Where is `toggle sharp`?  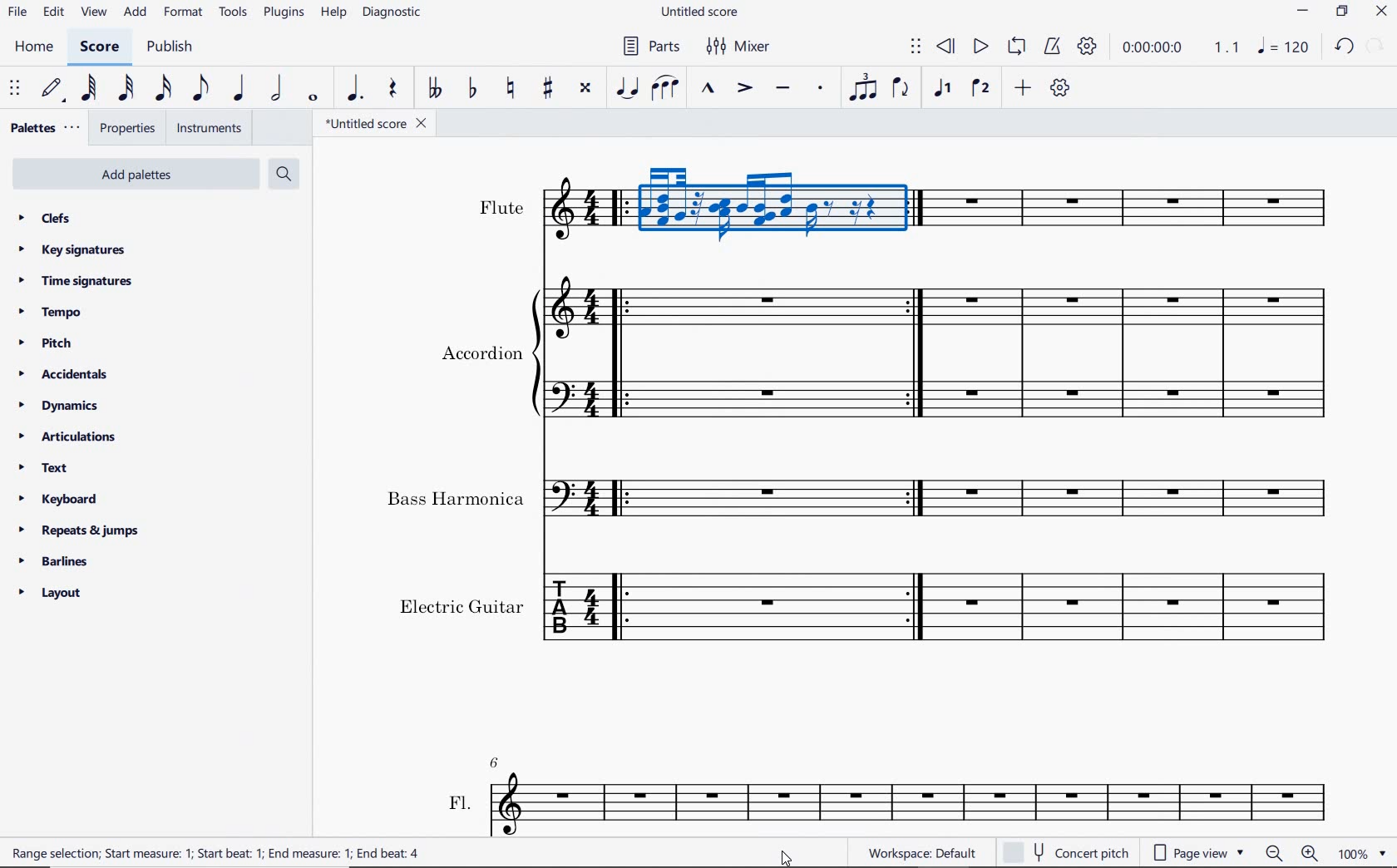 toggle sharp is located at coordinates (549, 91).